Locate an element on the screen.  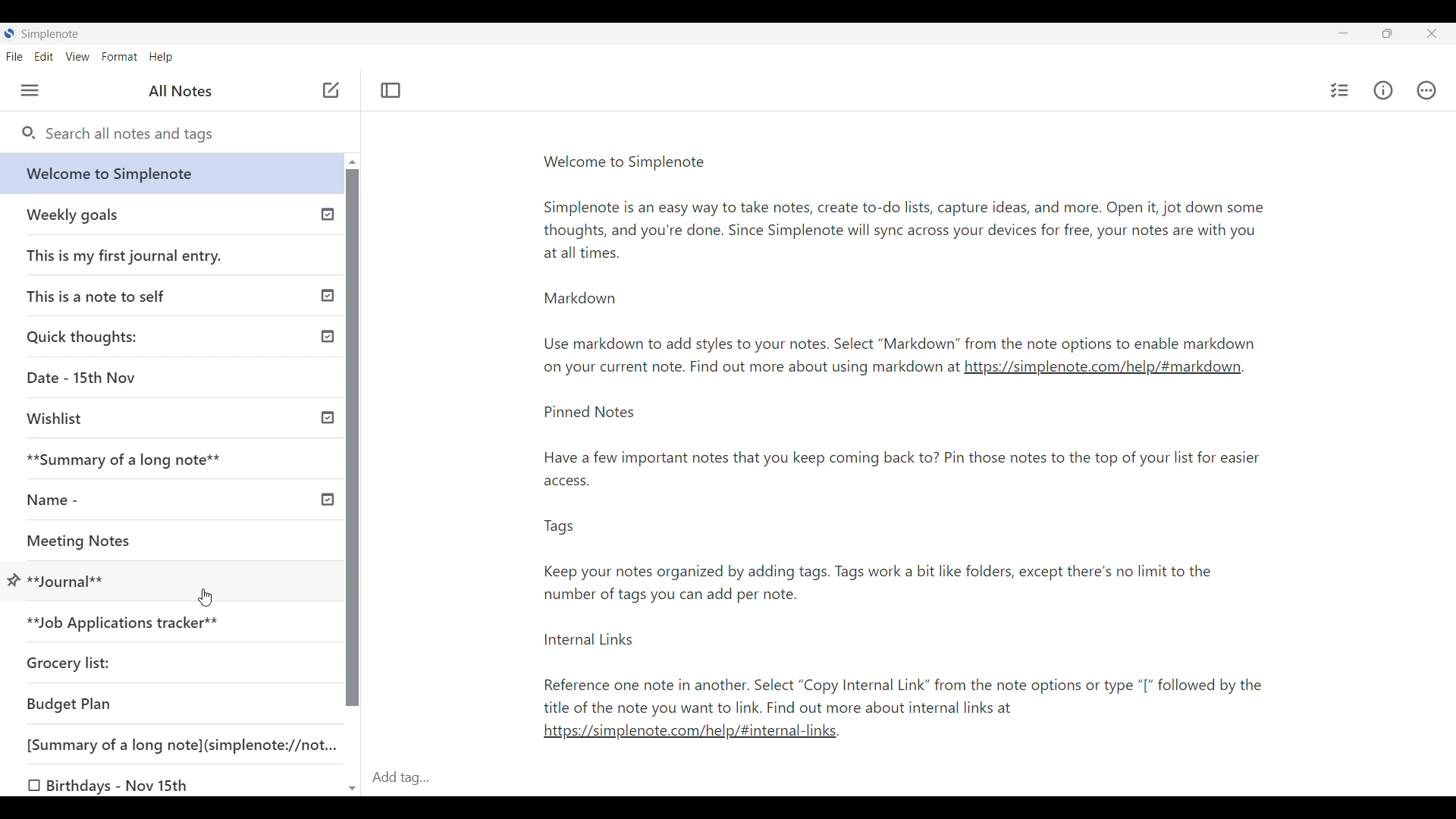
Minimize is located at coordinates (1343, 33).